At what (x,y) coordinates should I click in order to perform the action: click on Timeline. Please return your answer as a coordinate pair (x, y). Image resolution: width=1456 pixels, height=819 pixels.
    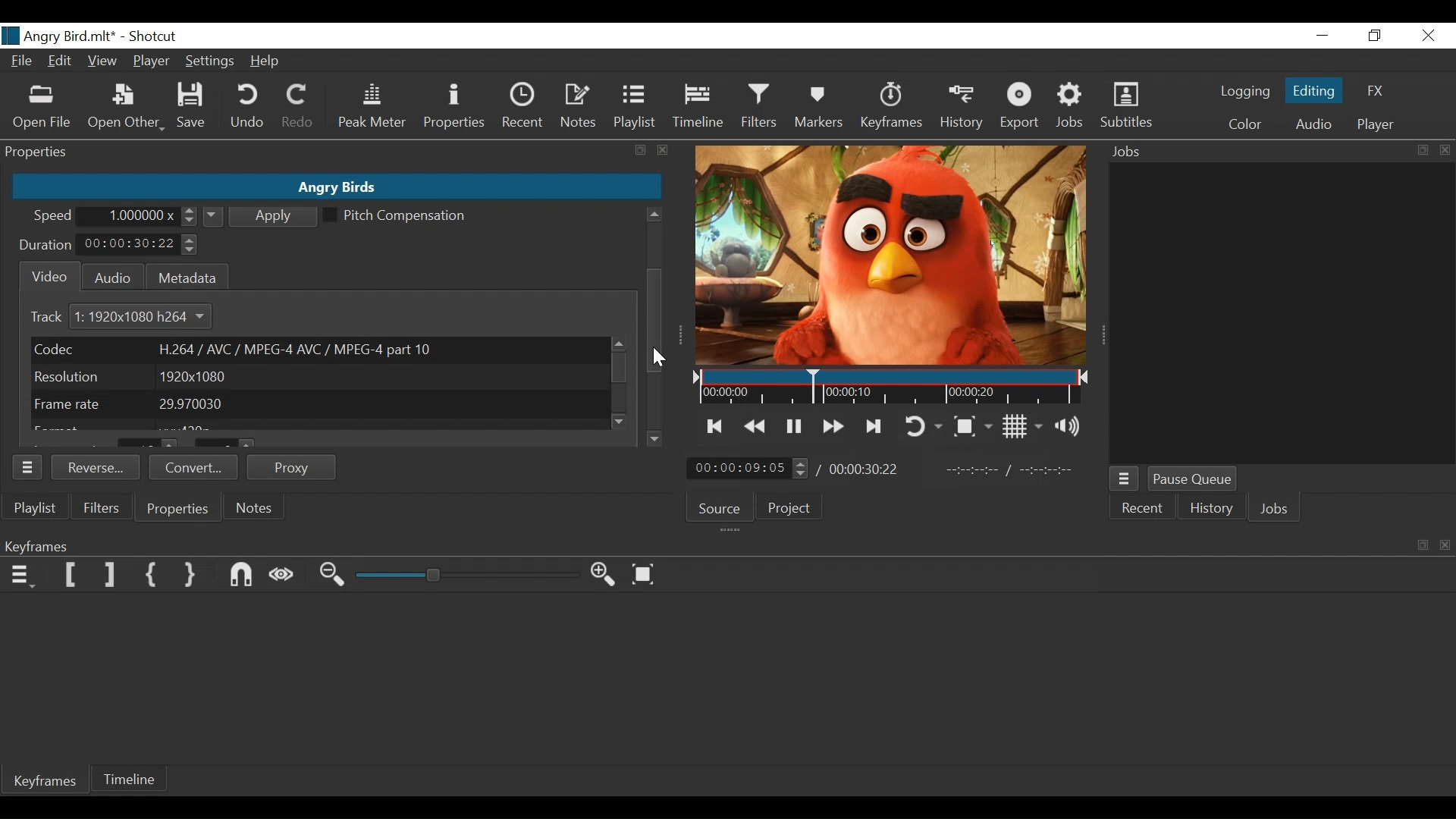
    Looking at the image, I should click on (131, 780).